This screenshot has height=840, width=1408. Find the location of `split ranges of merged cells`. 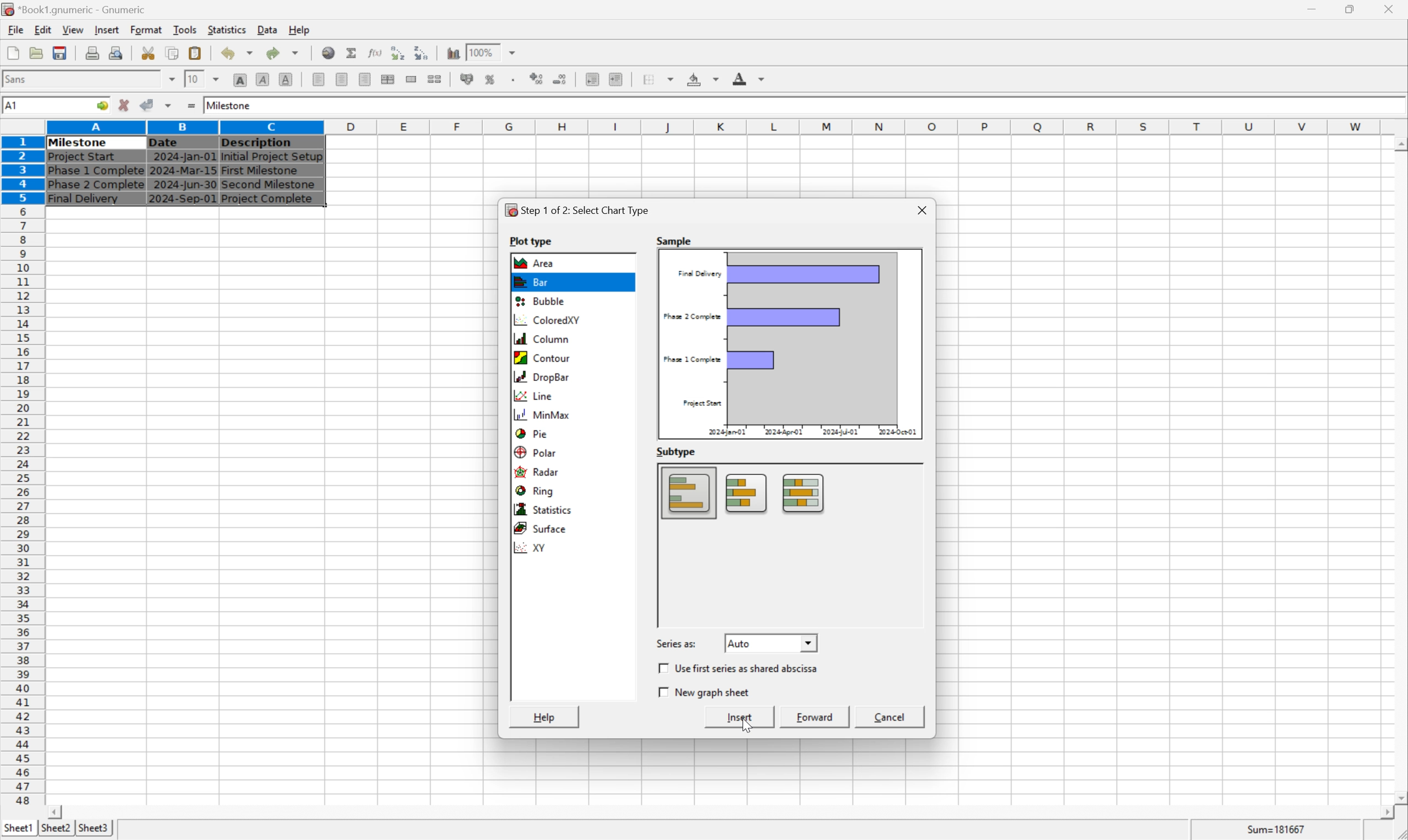

split ranges of merged cells is located at coordinates (436, 79).